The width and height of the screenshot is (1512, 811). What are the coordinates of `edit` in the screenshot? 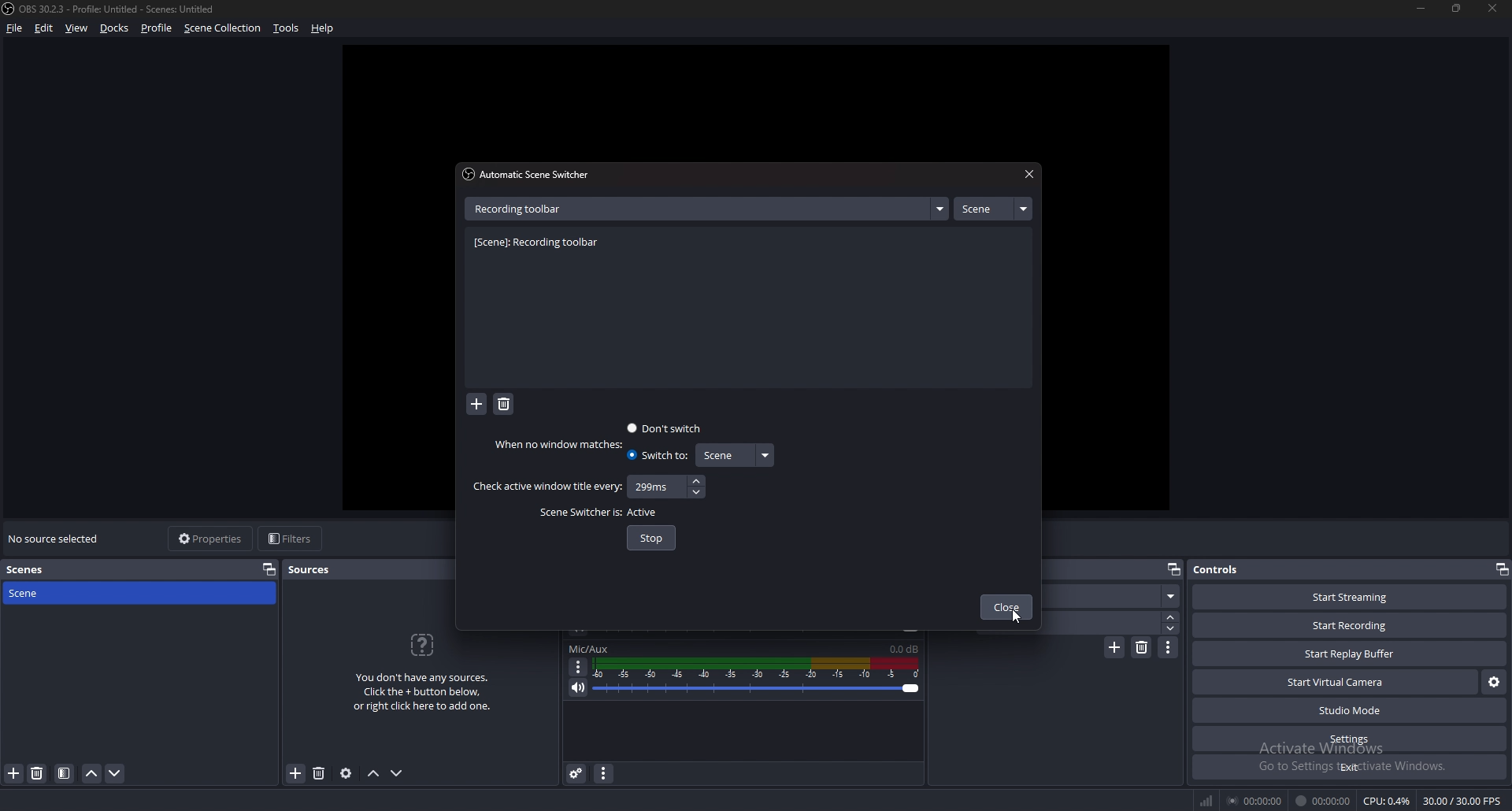 It's located at (44, 28).